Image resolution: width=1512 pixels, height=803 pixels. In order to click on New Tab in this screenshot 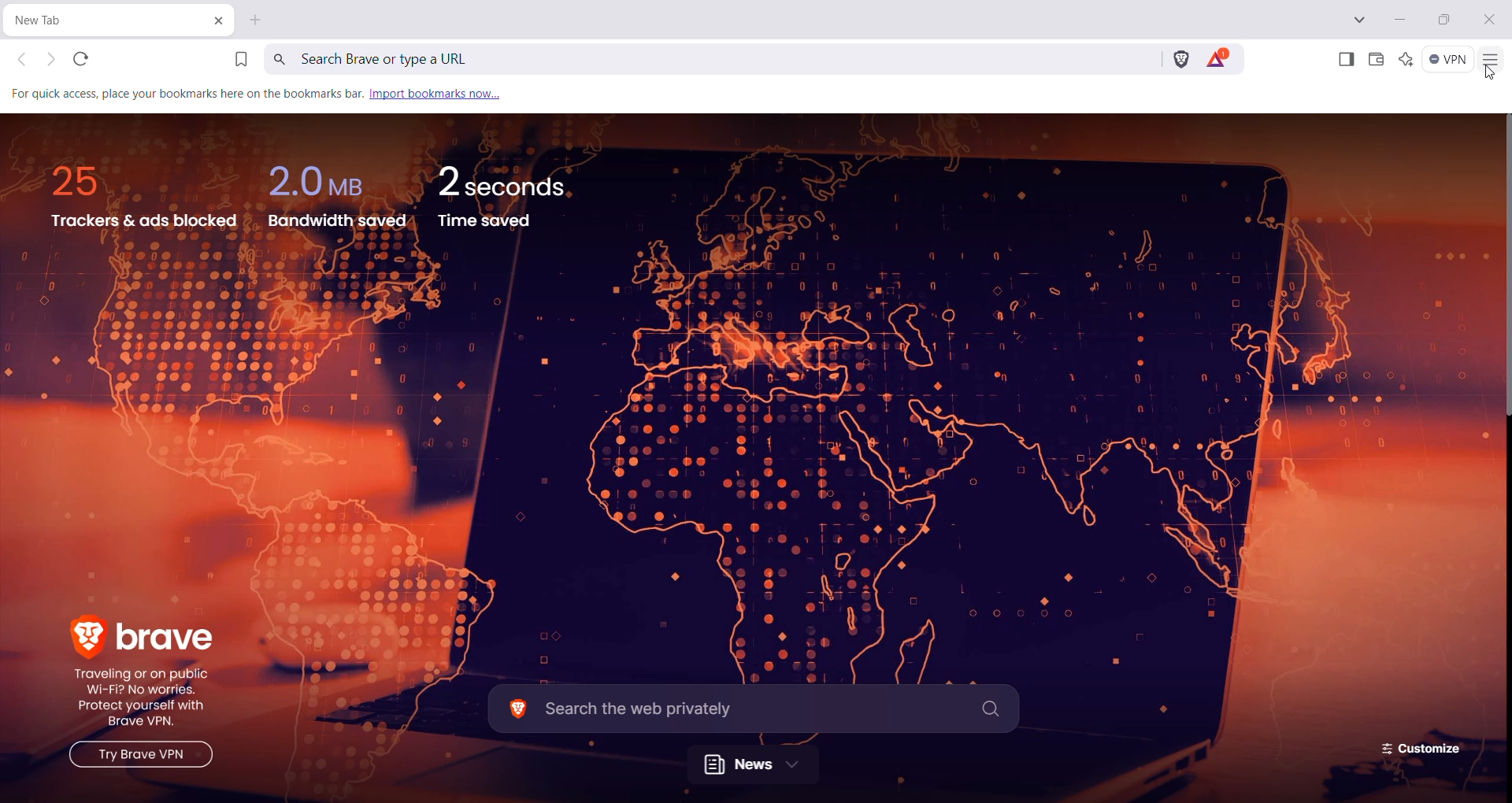, I will do `click(91, 22)`.